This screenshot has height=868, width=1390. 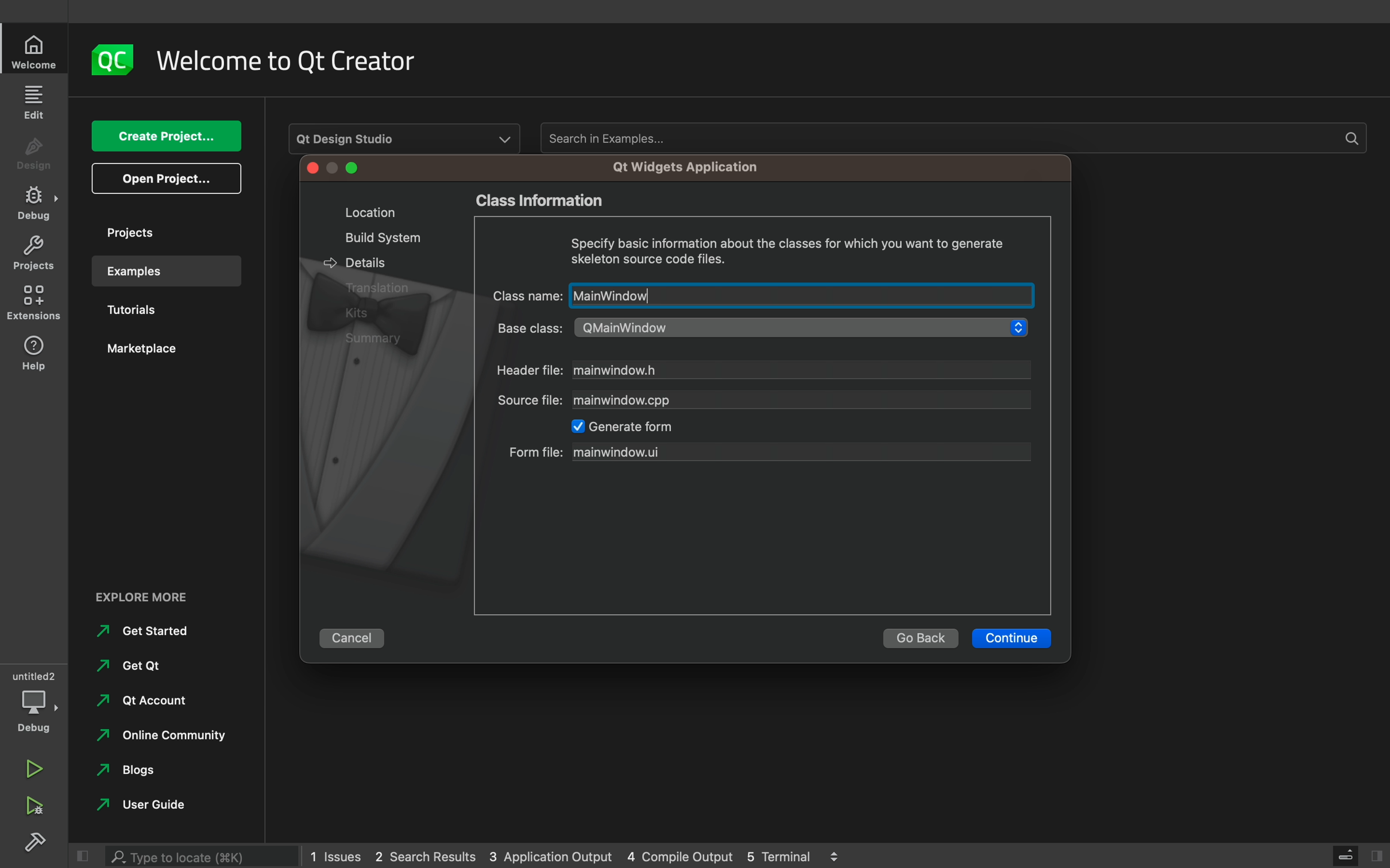 What do you see at coordinates (759, 295) in the screenshot?
I see `class name: MainWindow` at bounding box center [759, 295].